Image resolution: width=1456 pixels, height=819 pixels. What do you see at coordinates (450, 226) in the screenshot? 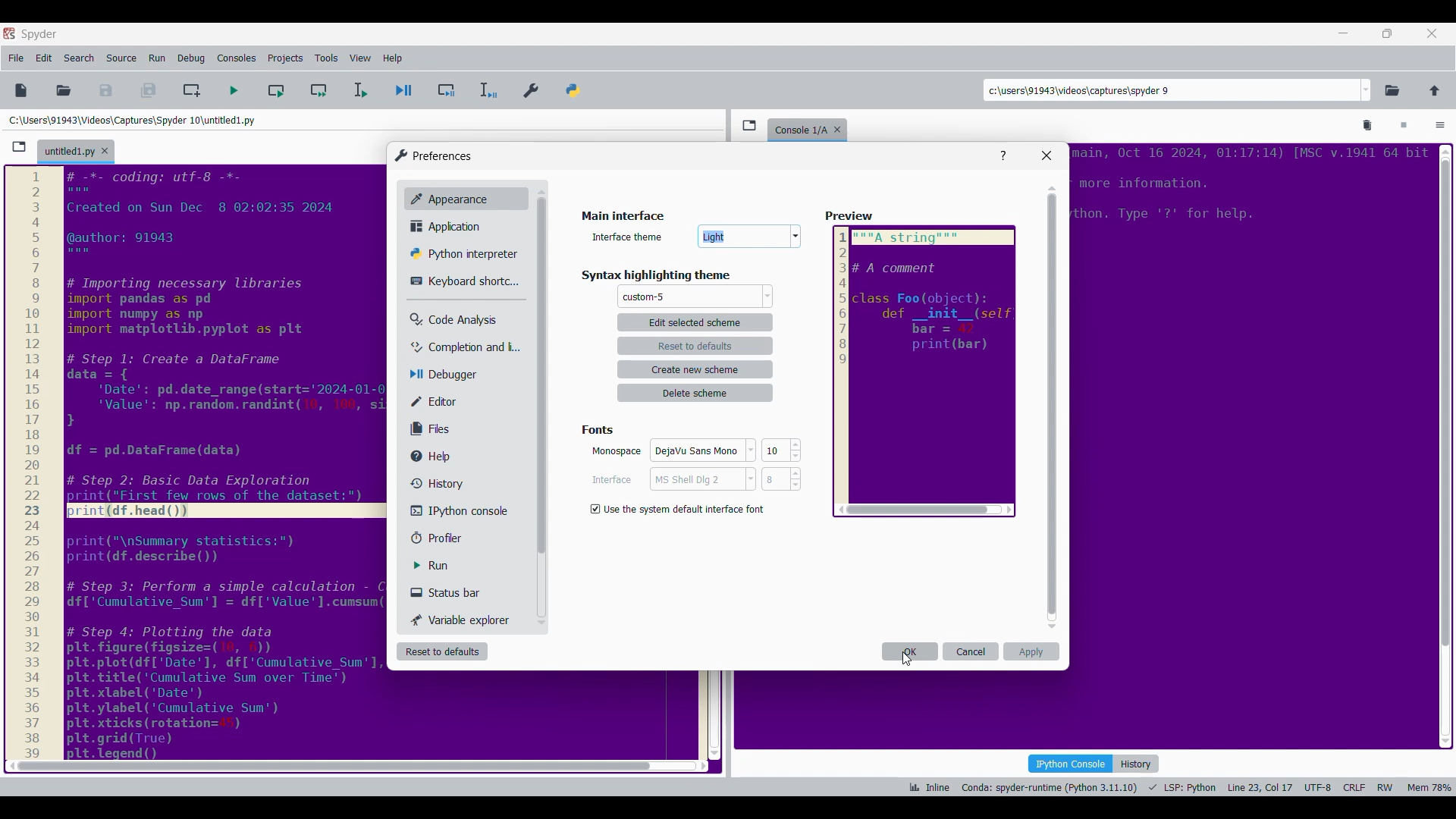
I see `Application` at bounding box center [450, 226].